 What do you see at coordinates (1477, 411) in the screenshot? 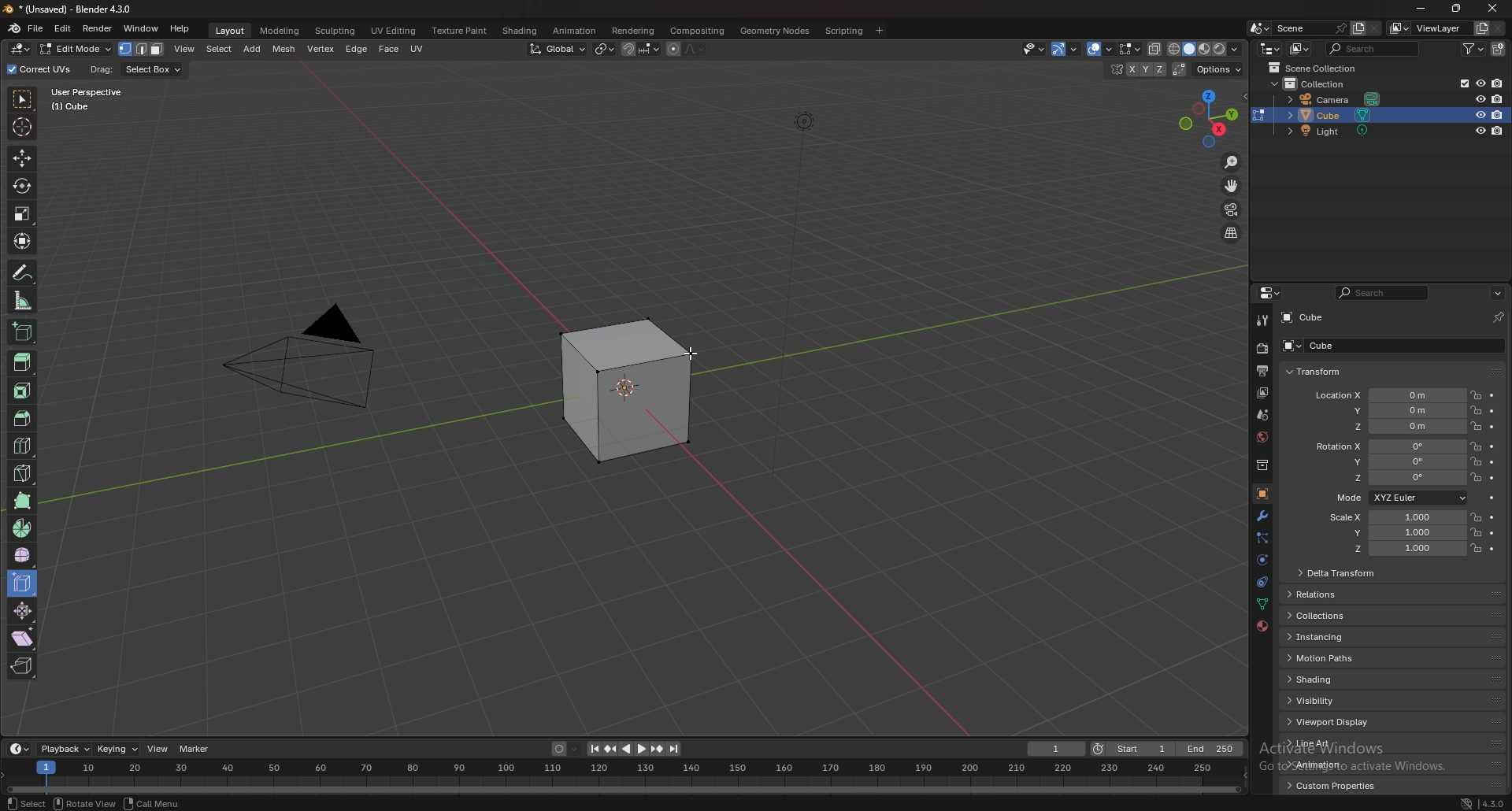
I see `lock` at bounding box center [1477, 411].